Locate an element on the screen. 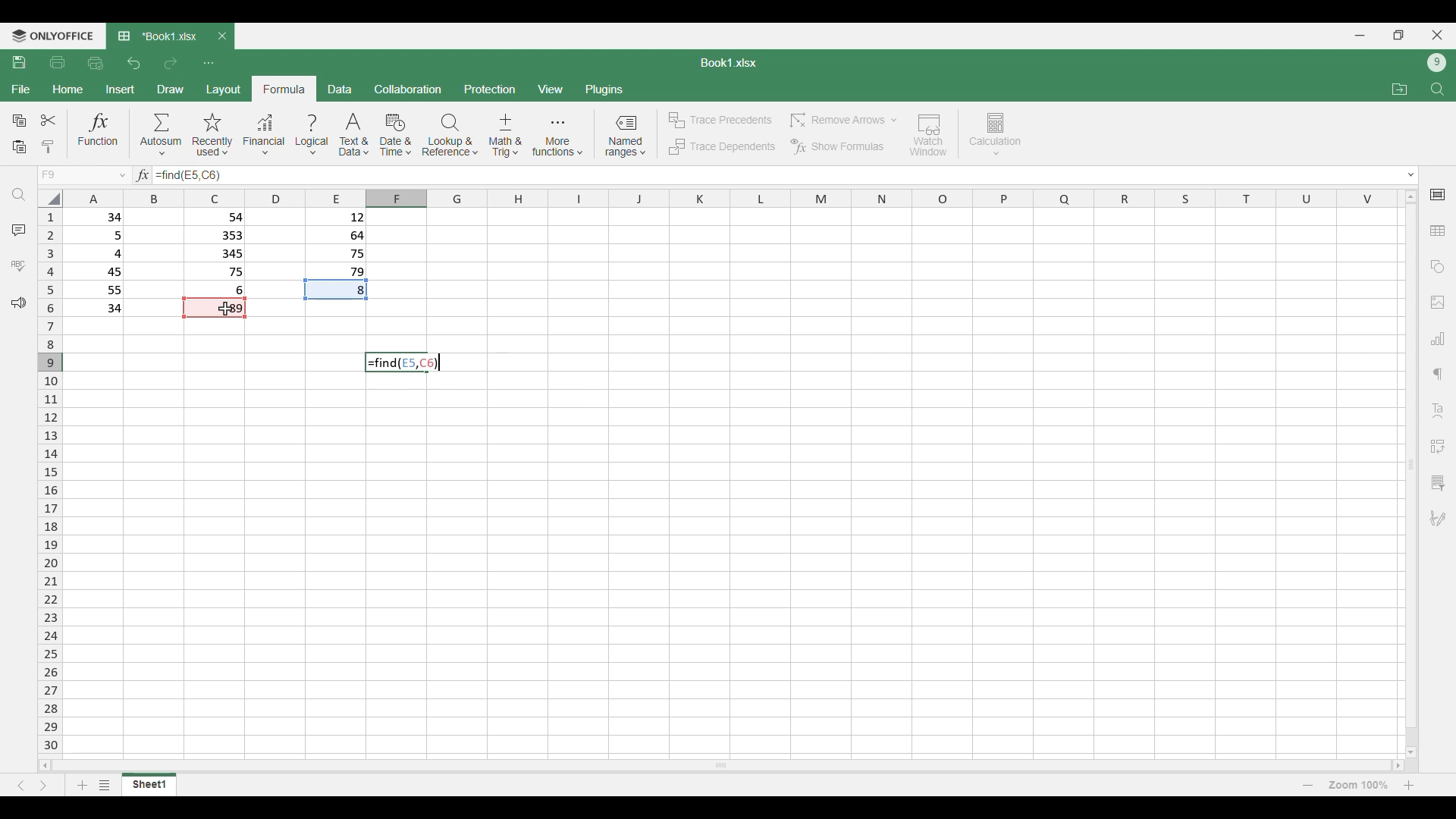 The image size is (1456, 819). Insert table is located at coordinates (1438, 231).